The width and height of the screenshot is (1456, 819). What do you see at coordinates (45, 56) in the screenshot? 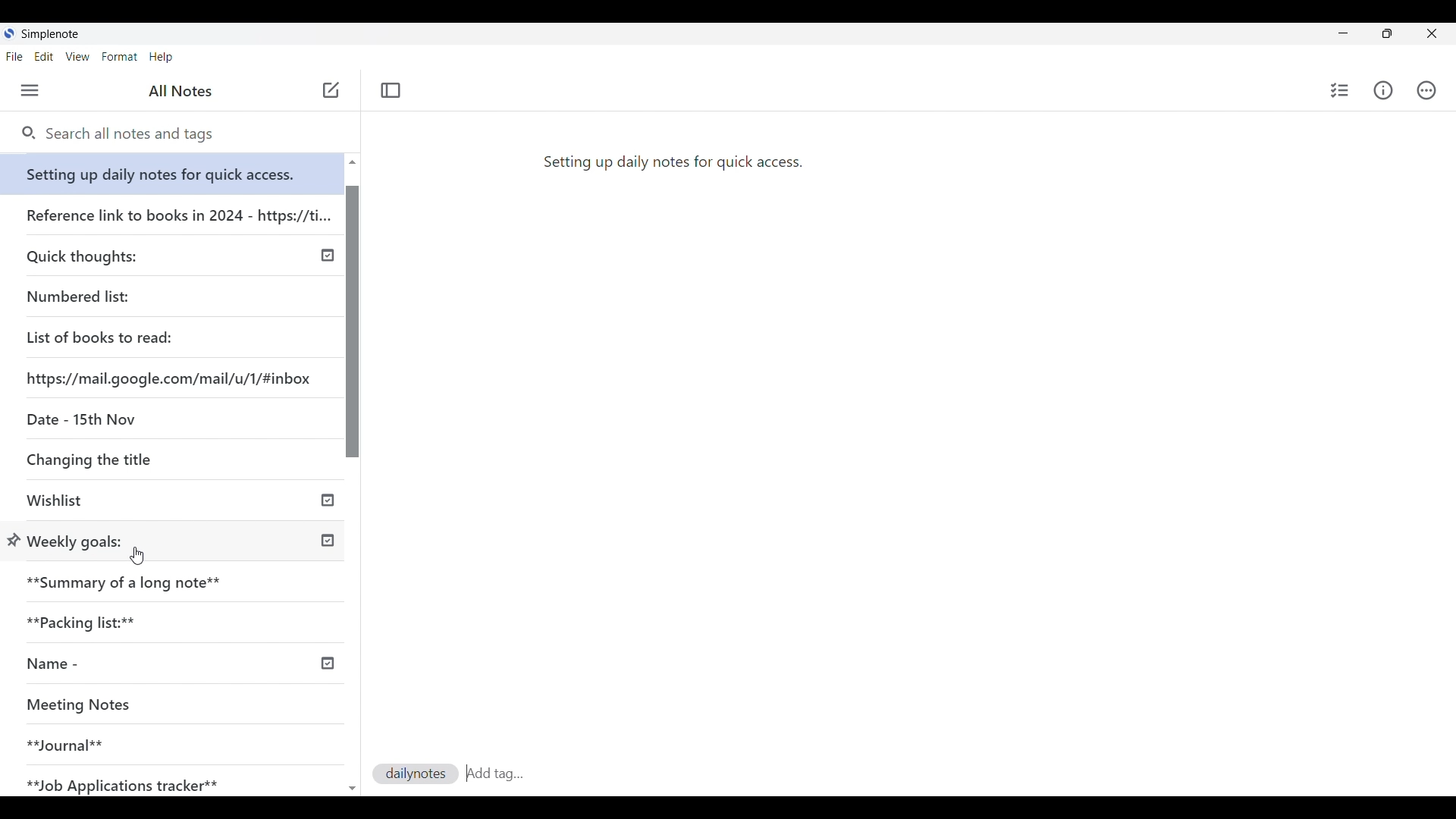
I see `Edit menu` at bounding box center [45, 56].